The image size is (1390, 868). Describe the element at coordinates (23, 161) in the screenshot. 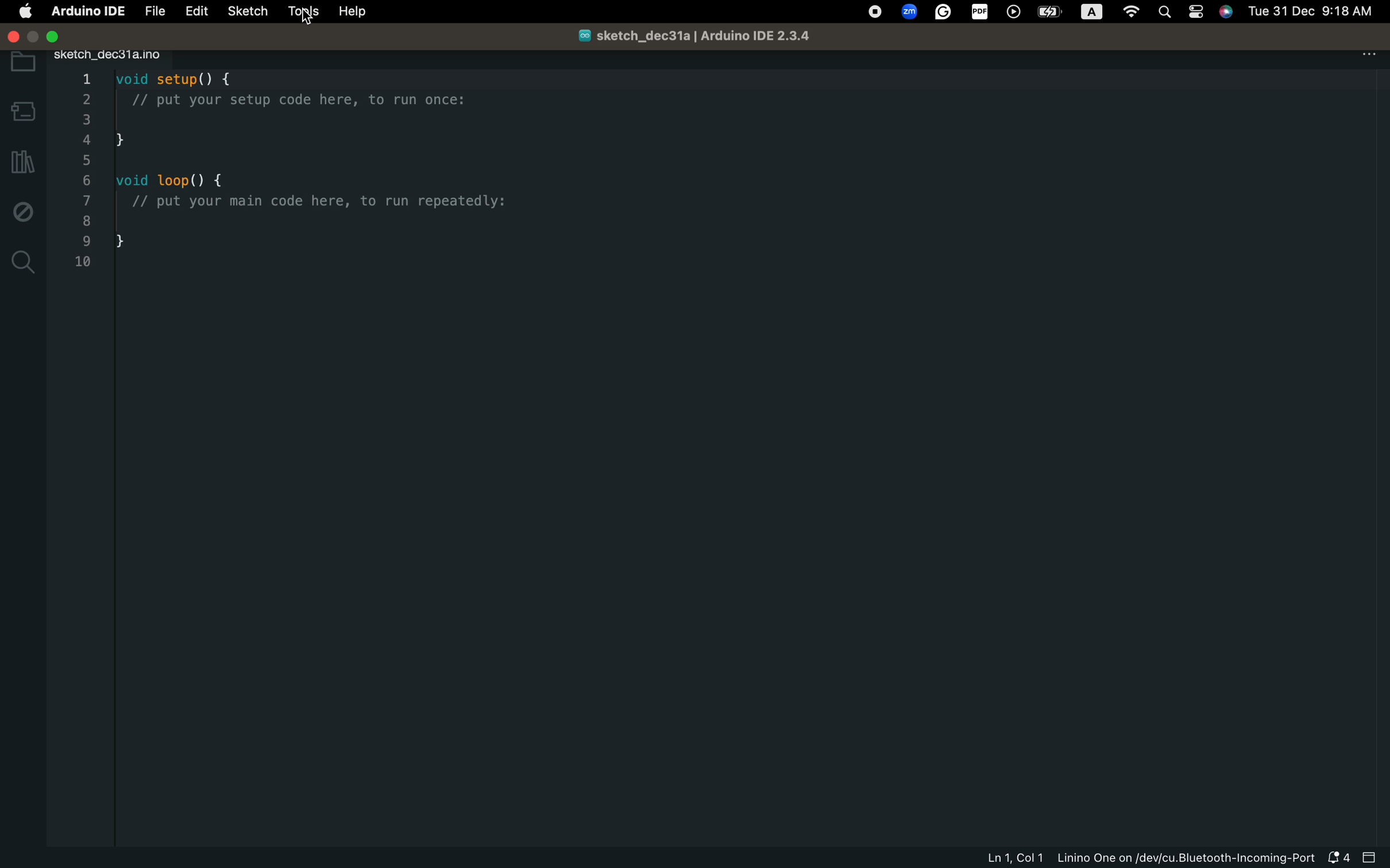

I see `library manager` at that location.